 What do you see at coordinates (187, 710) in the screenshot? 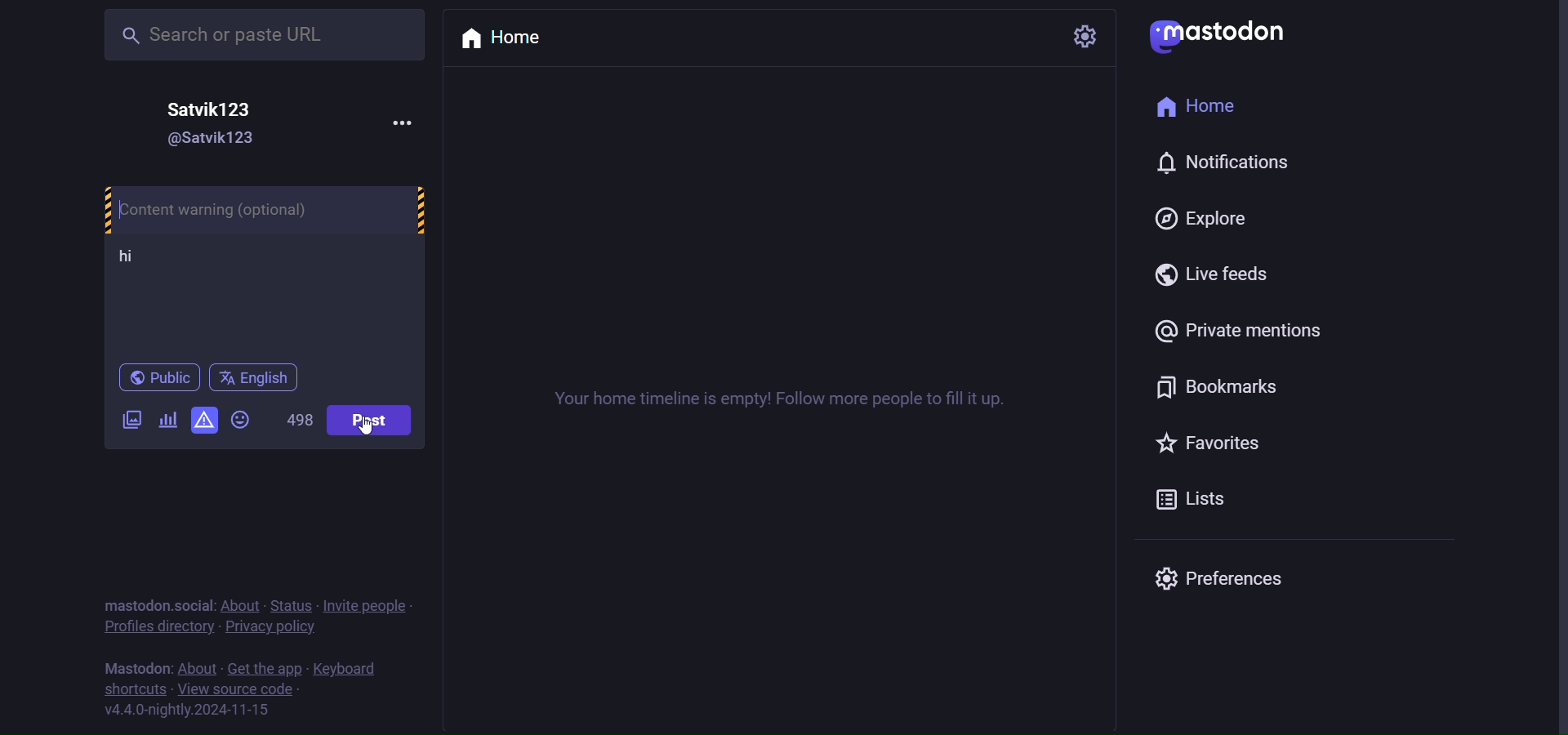
I see `version` at bounding box center [187, 710].